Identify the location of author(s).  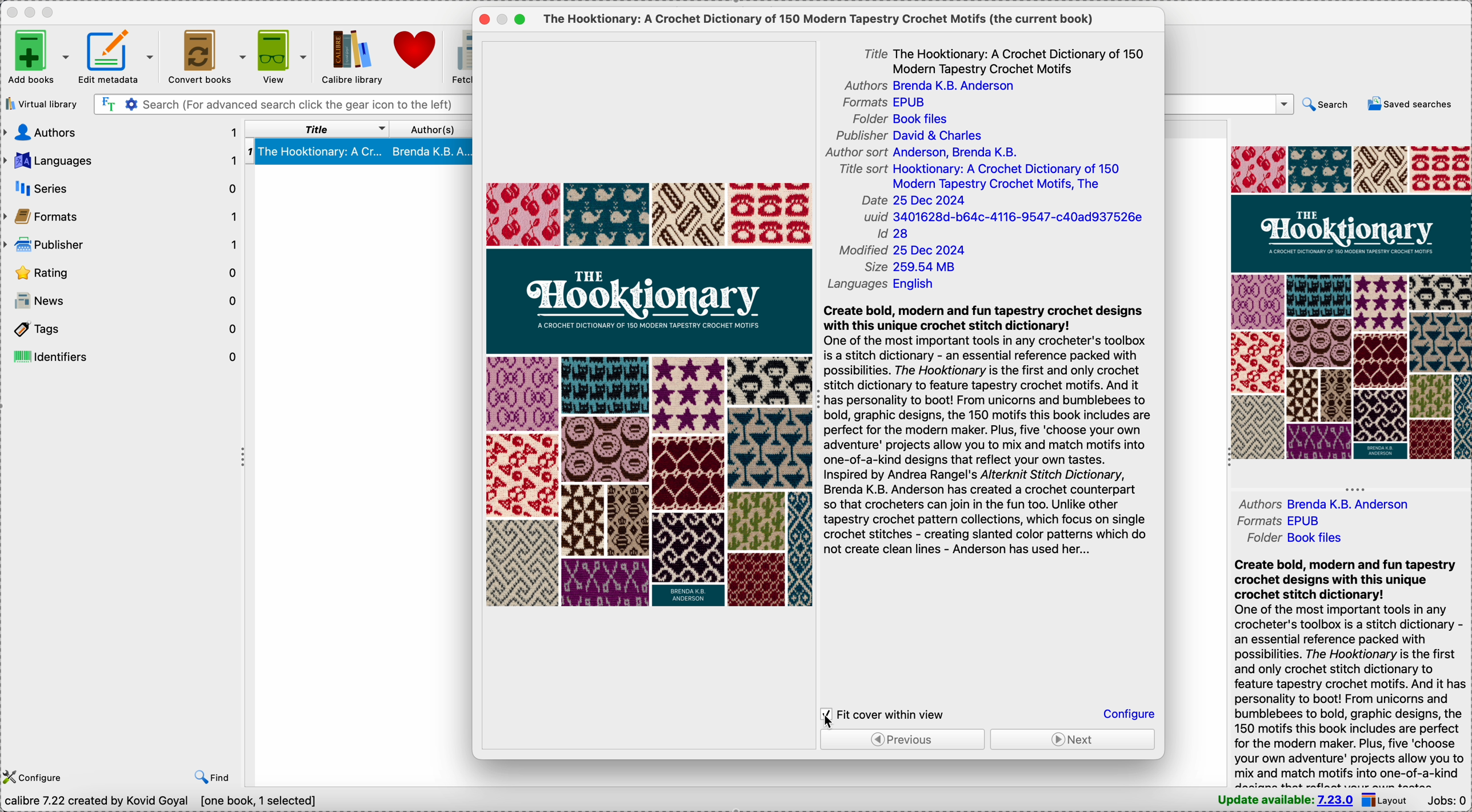
(433, 129).